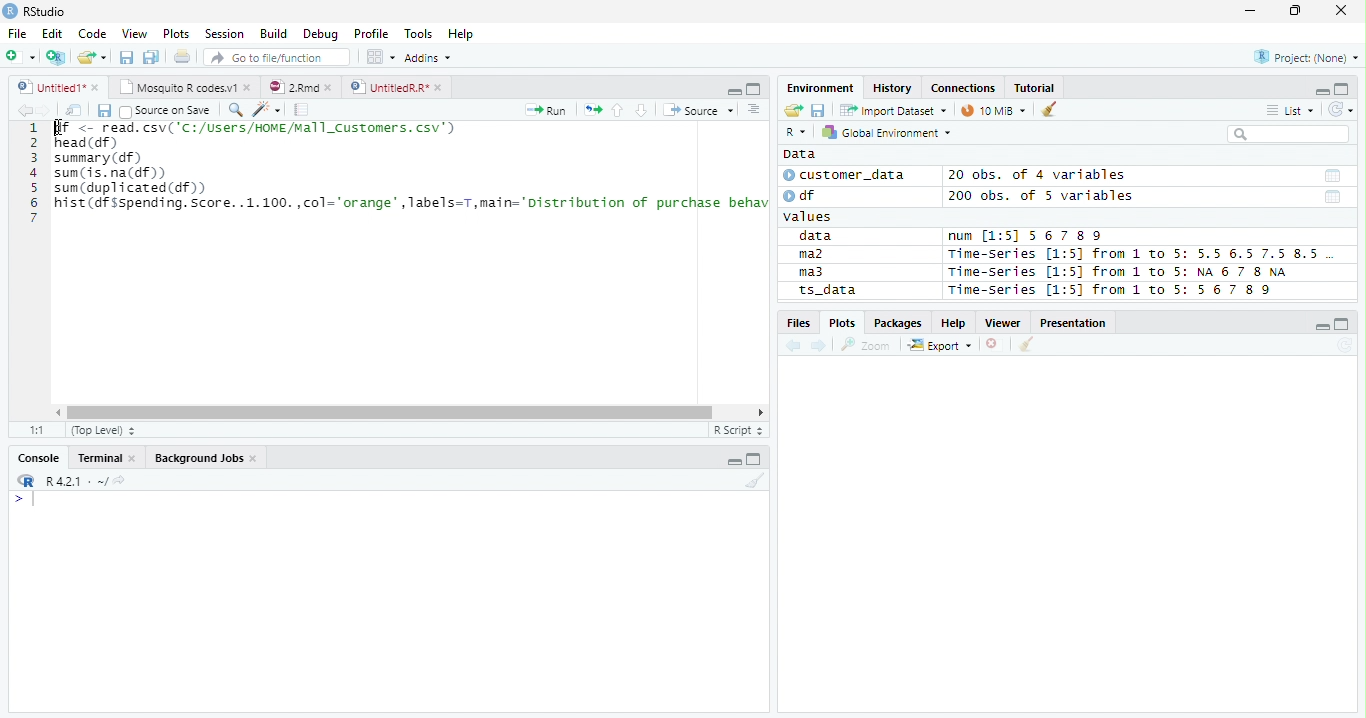  What do you see at coordinates (1320, 90) in the screenshot?
I see `Minimze` at bounding box center [1320, 90].